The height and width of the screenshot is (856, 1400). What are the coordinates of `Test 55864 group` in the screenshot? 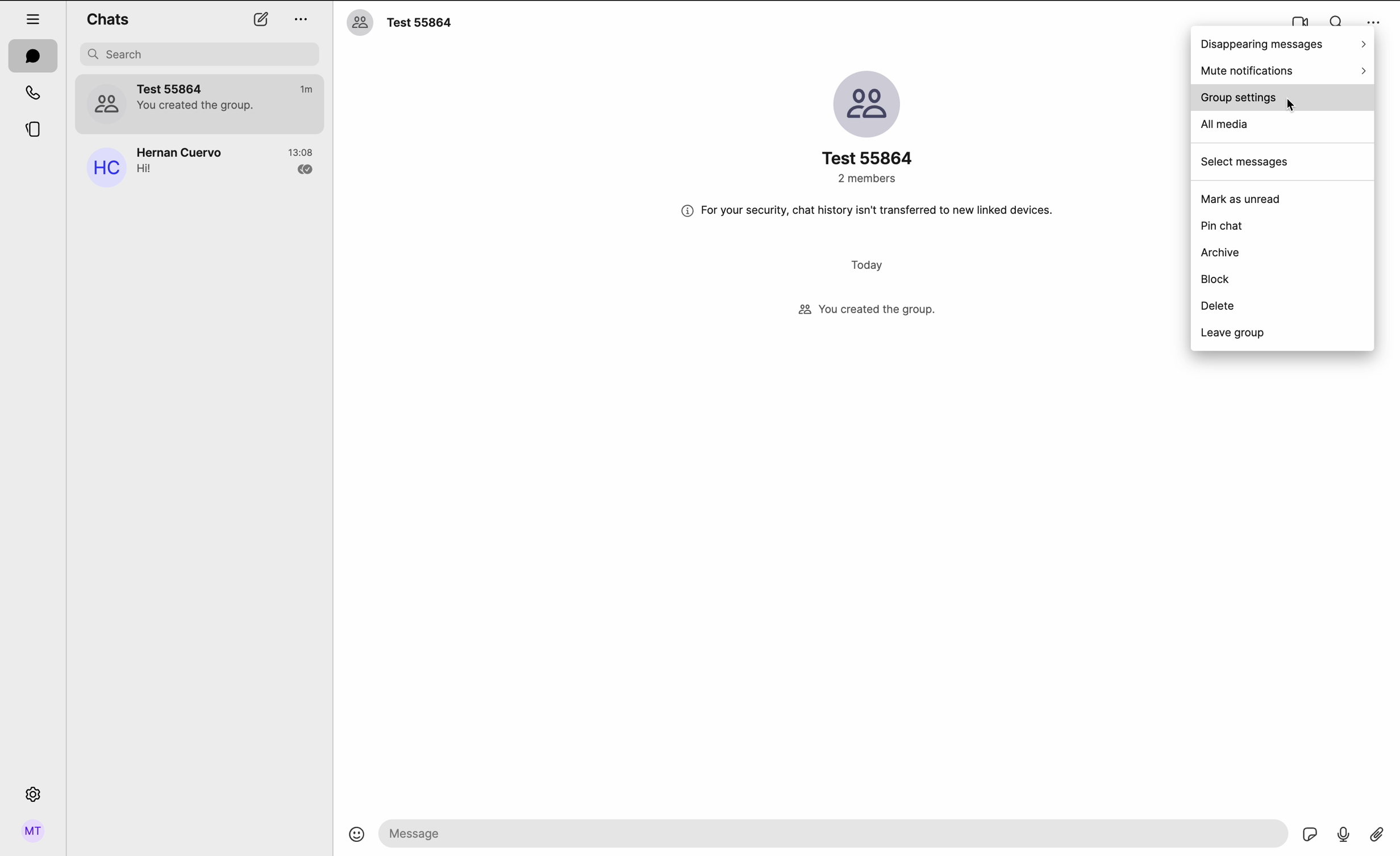 It's located at (201, 104).